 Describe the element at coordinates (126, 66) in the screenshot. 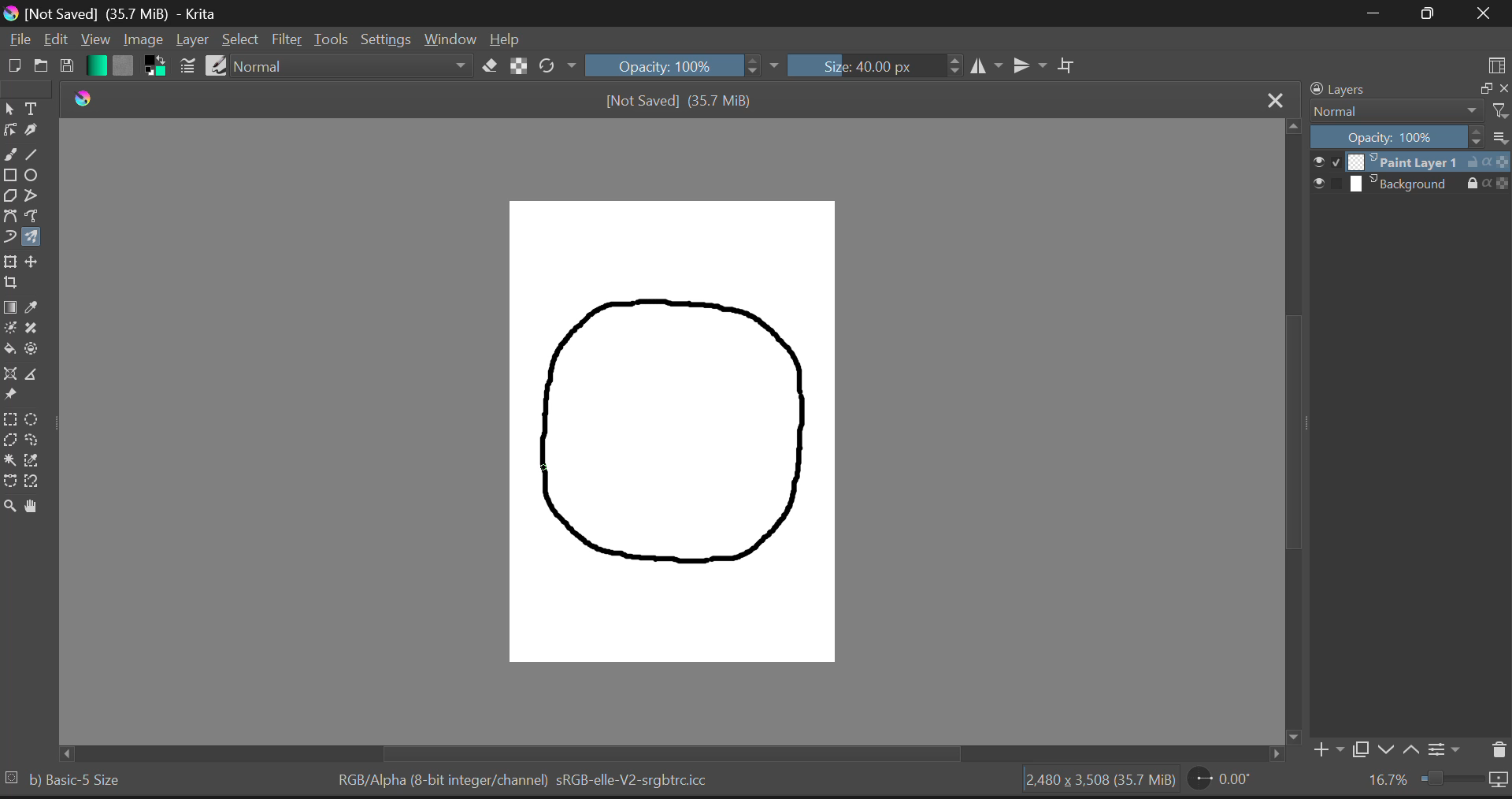

I see `Pattern` at that location.